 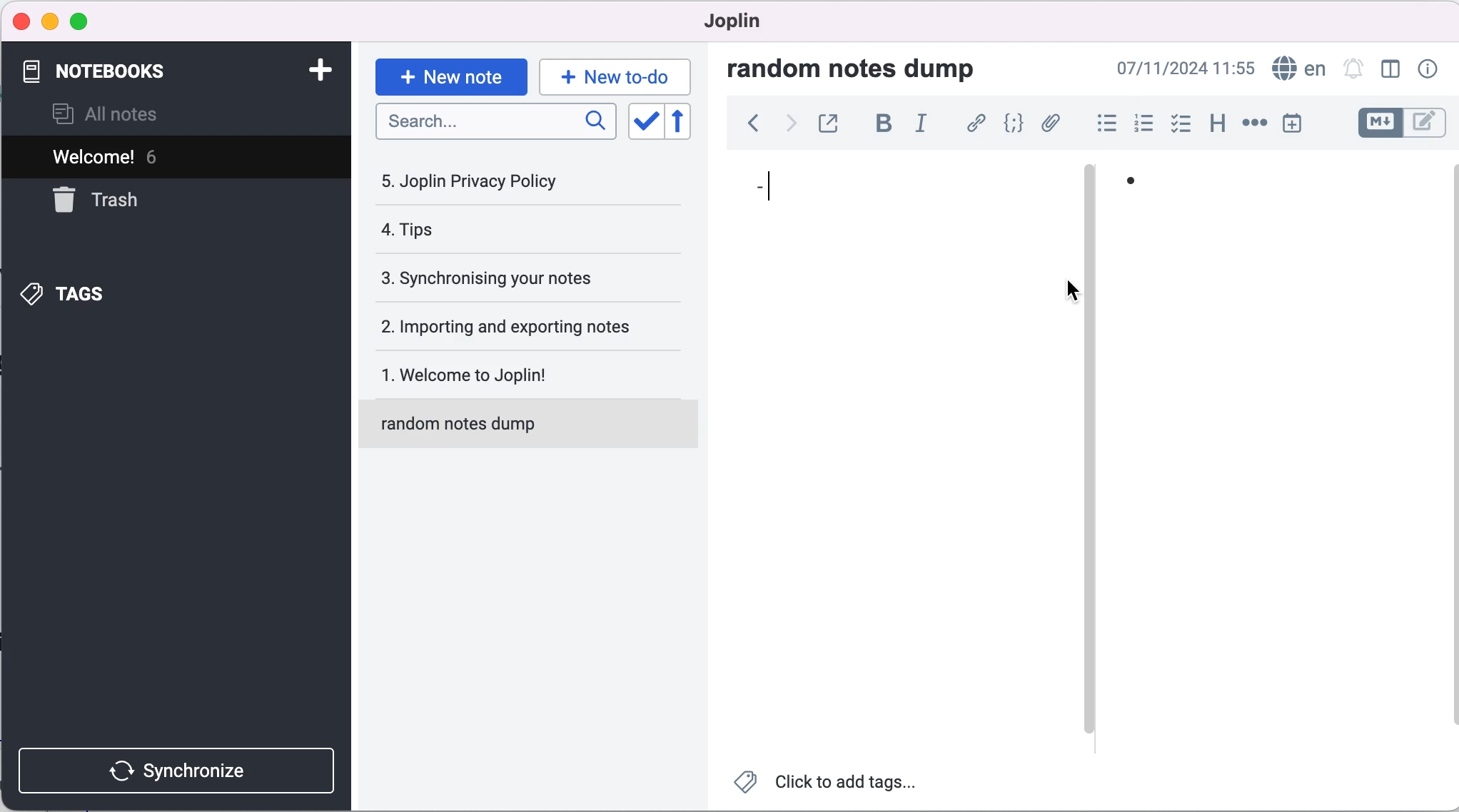 What do you see at coordinates (1186, 68) in the screenshot?
I see `07/11/2024 09:03` at bounding box center [1186, 68].